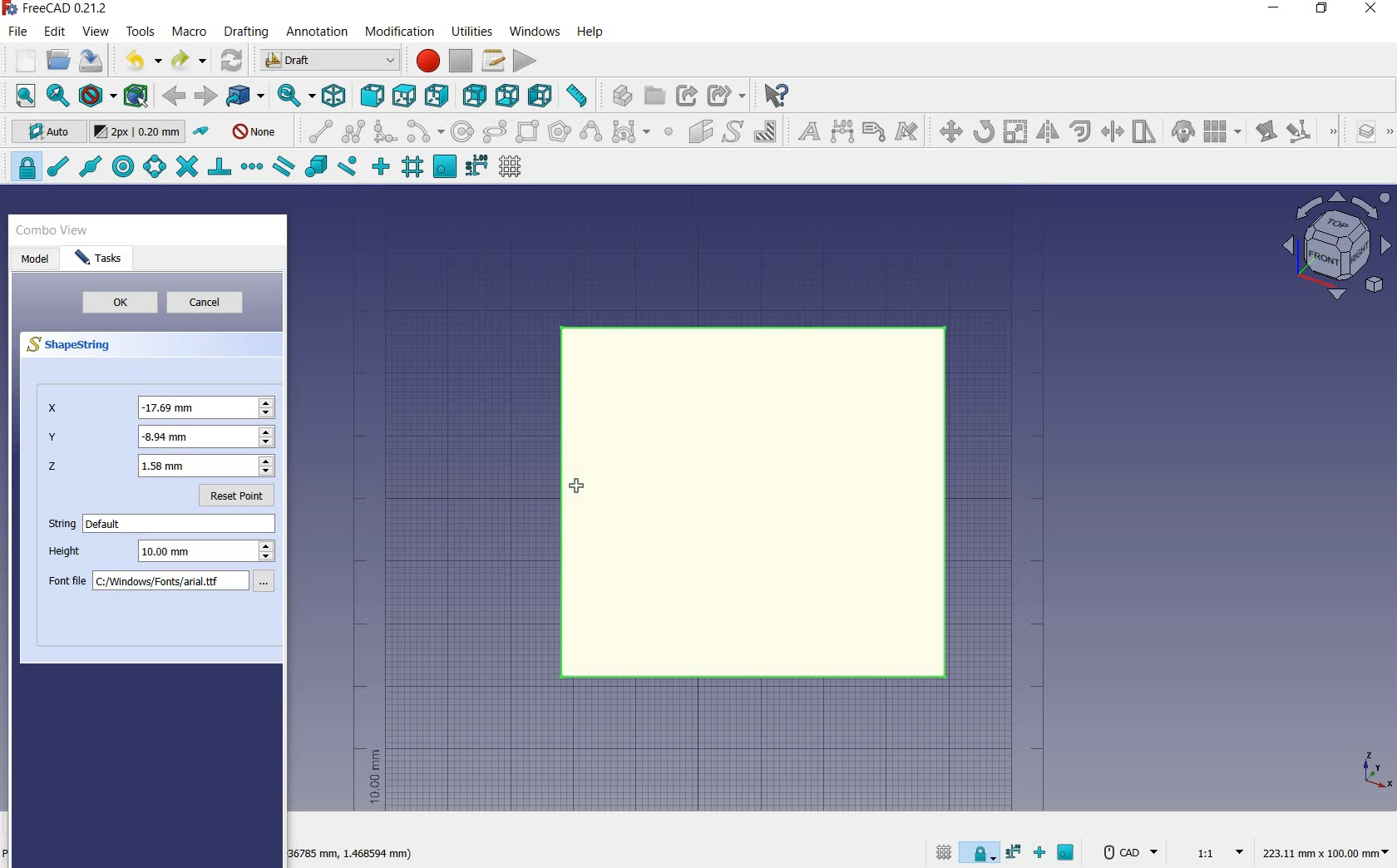 The image size is (1397, 868). Describe the element at coordinates (579, 96) in the screenshot. I see `measure distance` at that location.